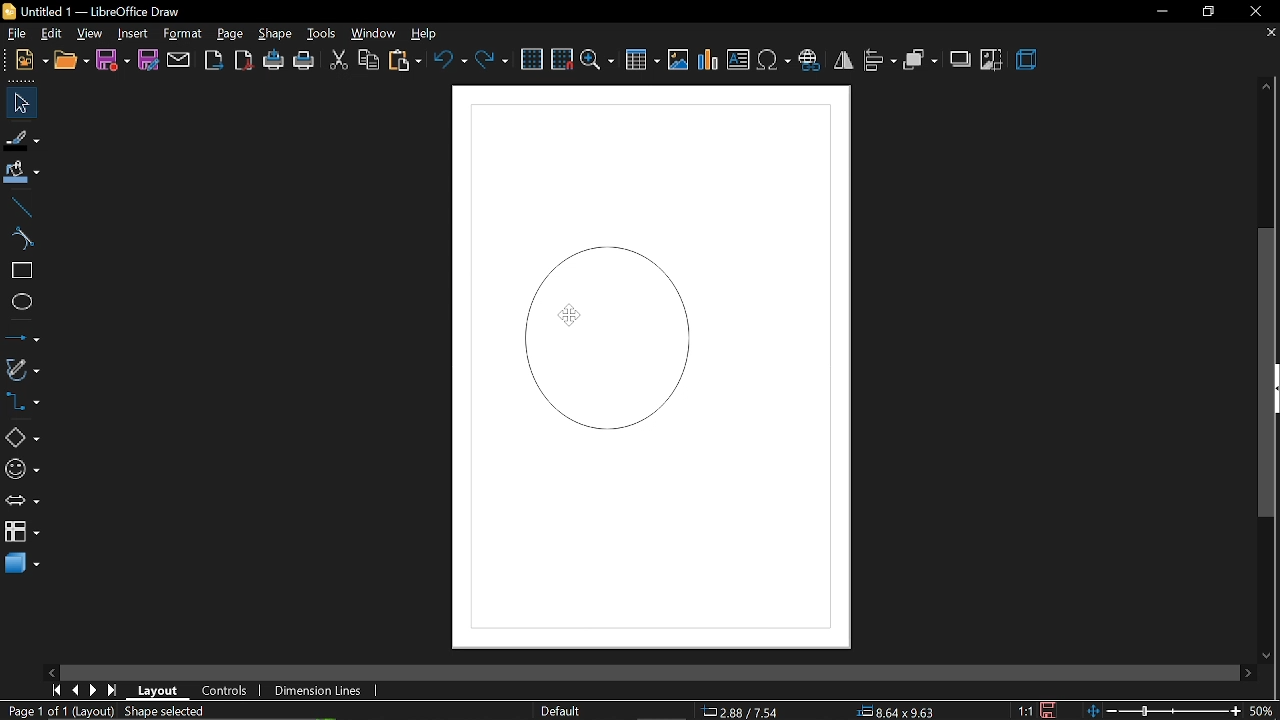 Image resolution: width=1280 pixels, height=720 pixels. I want to click on insert chart, so click(706, 60).